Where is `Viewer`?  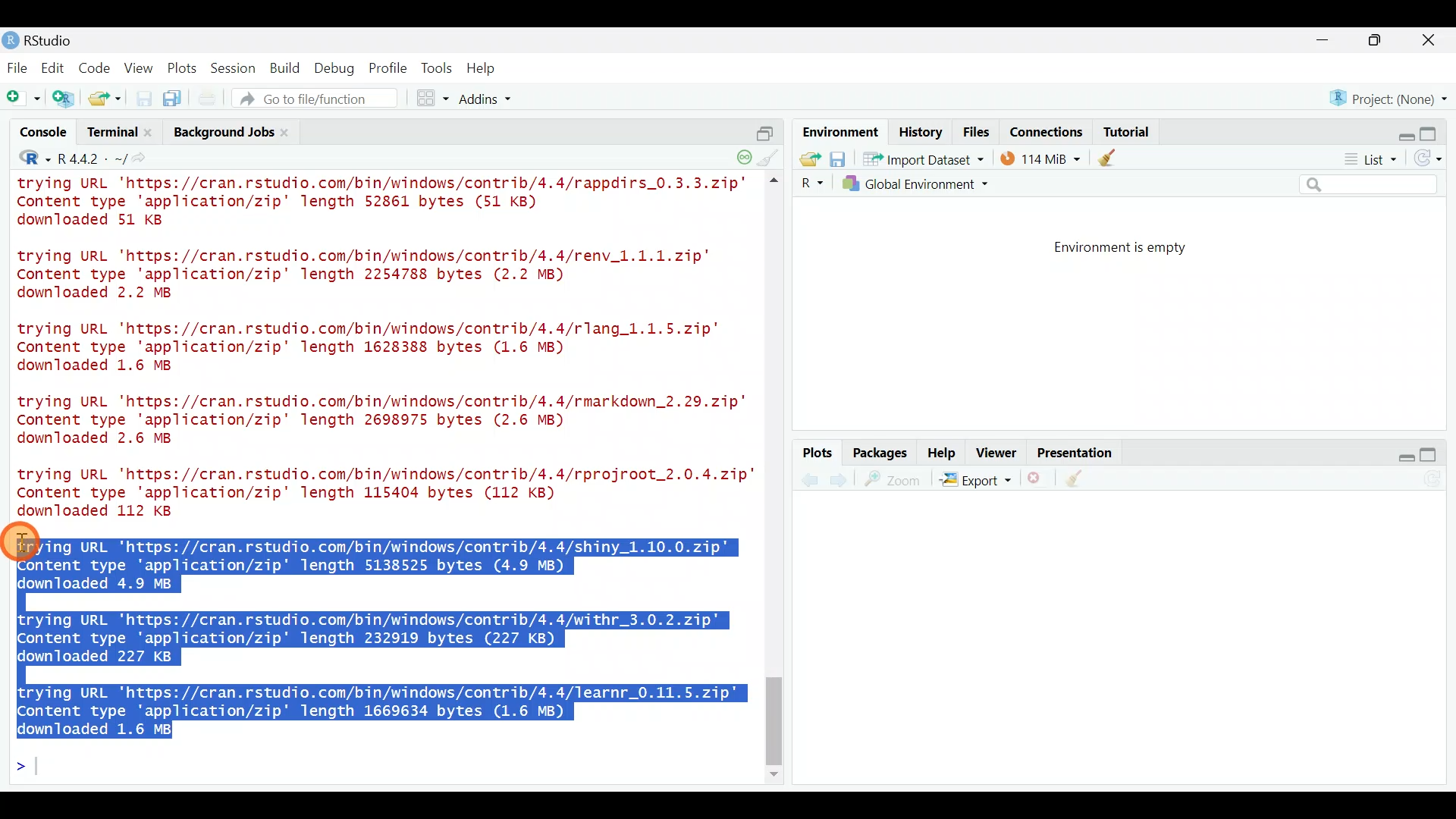
Viewer is located at coordinates (996, 454).